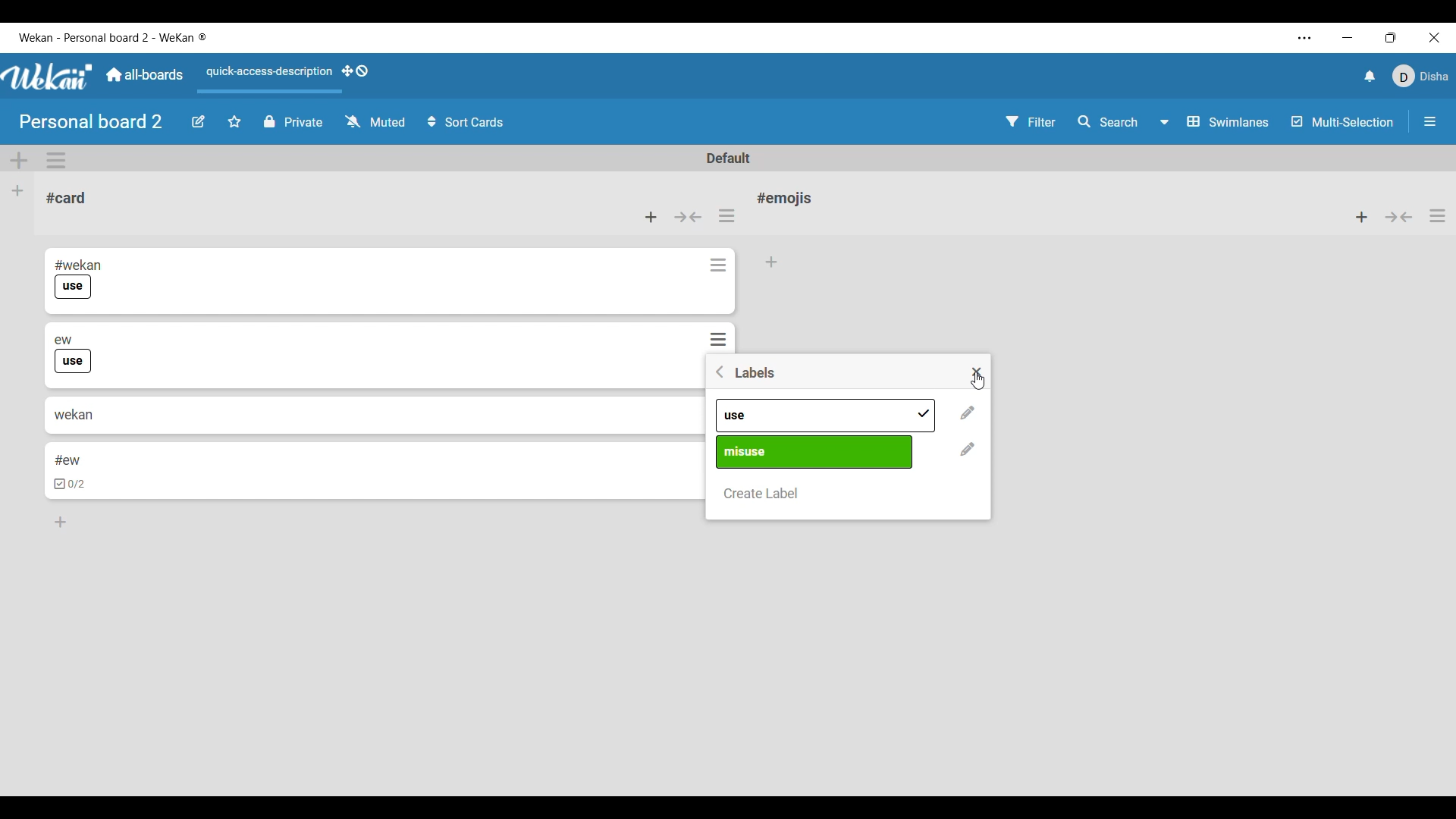 This screenshot has height=819, width=1456. I want to click on Pre-existing labels differentiated by name and color, so click(808, 416).